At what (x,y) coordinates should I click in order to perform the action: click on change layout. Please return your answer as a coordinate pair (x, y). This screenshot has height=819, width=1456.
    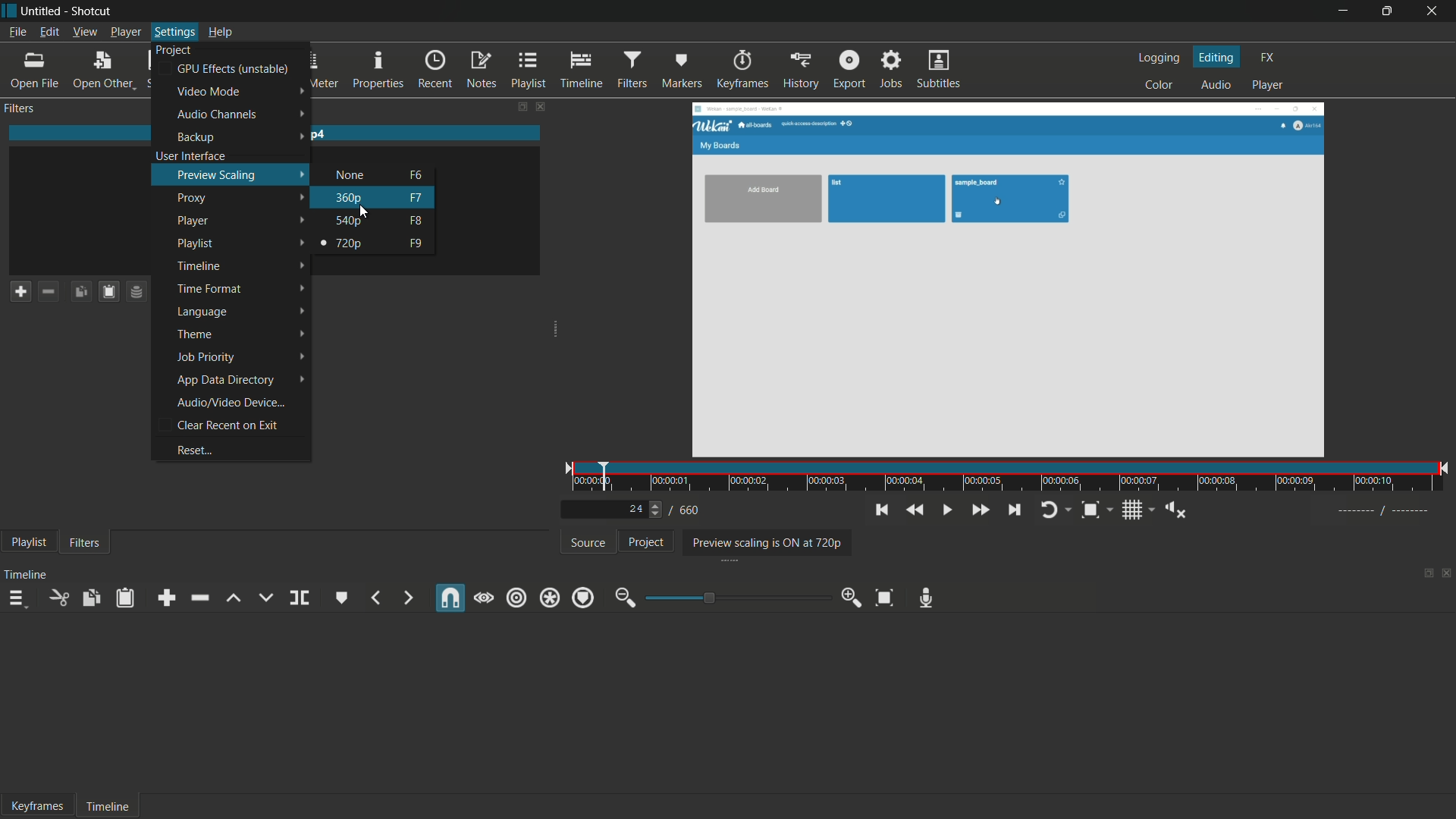
    Looking at the image, I should click on (1426, 575).